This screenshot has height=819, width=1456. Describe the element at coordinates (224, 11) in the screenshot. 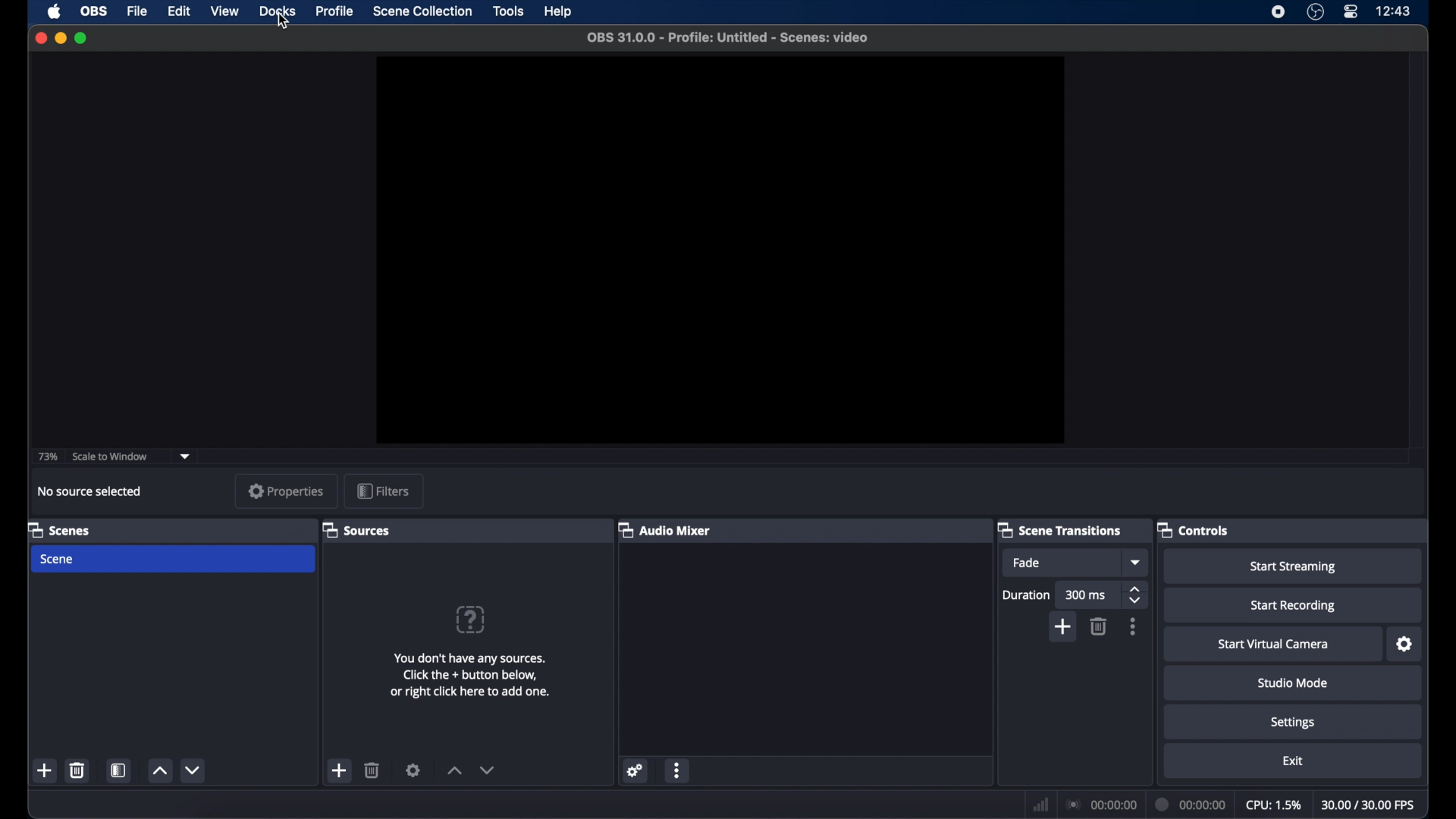

I see `view` at that location.